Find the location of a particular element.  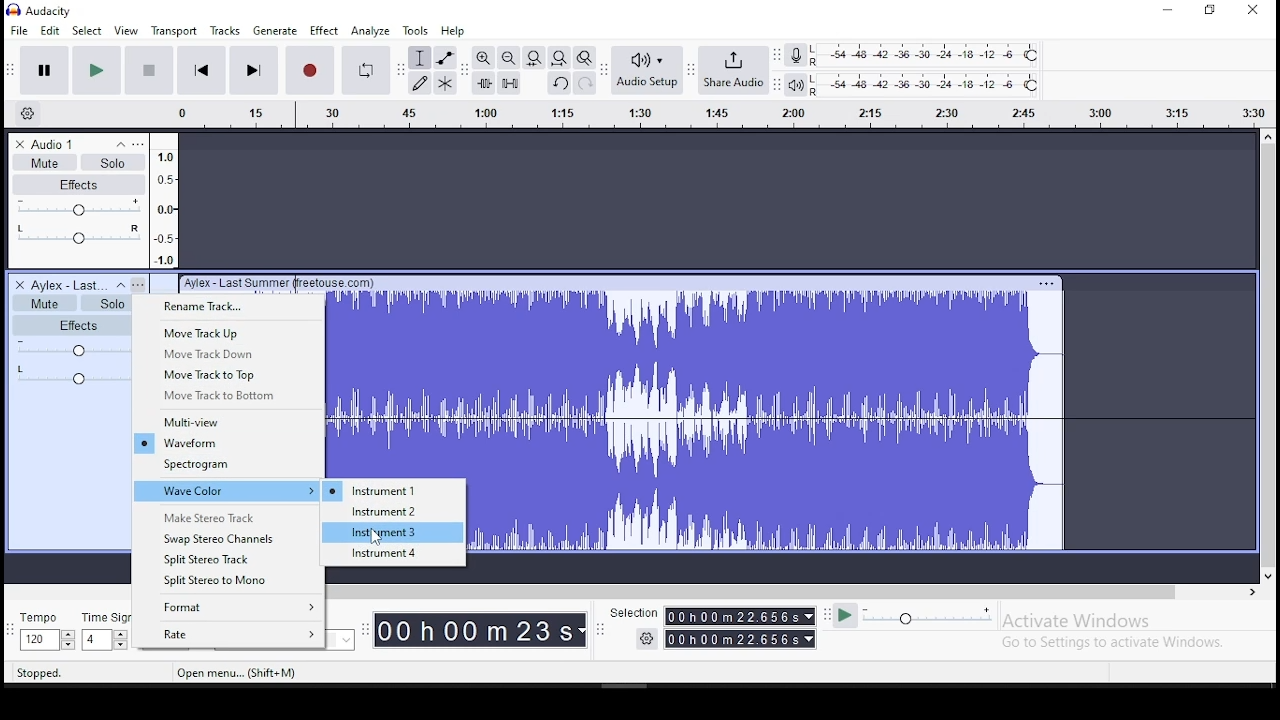

pan is located at coordinates (77, 236).